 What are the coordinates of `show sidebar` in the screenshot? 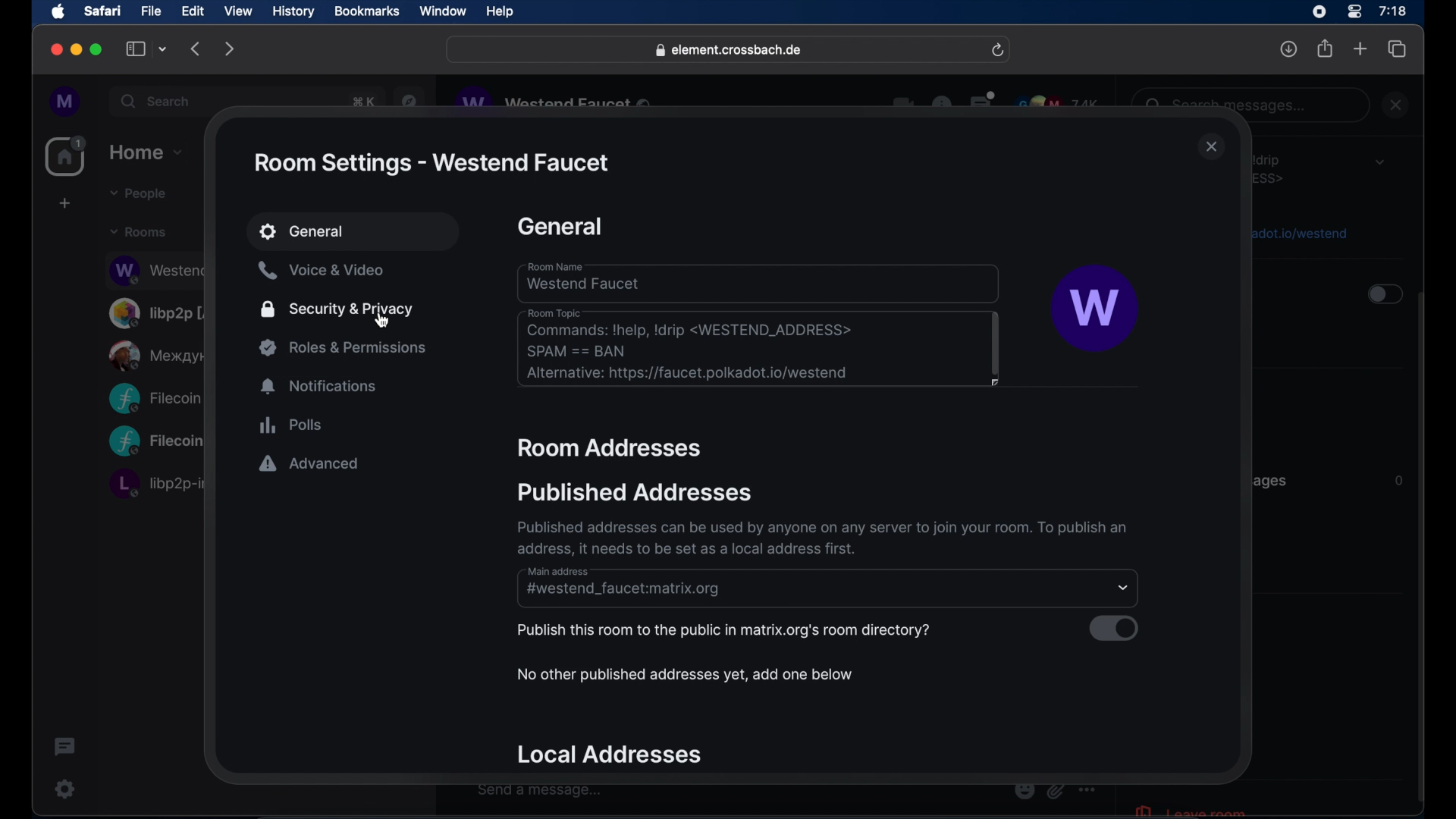 It's located at (136, 49).